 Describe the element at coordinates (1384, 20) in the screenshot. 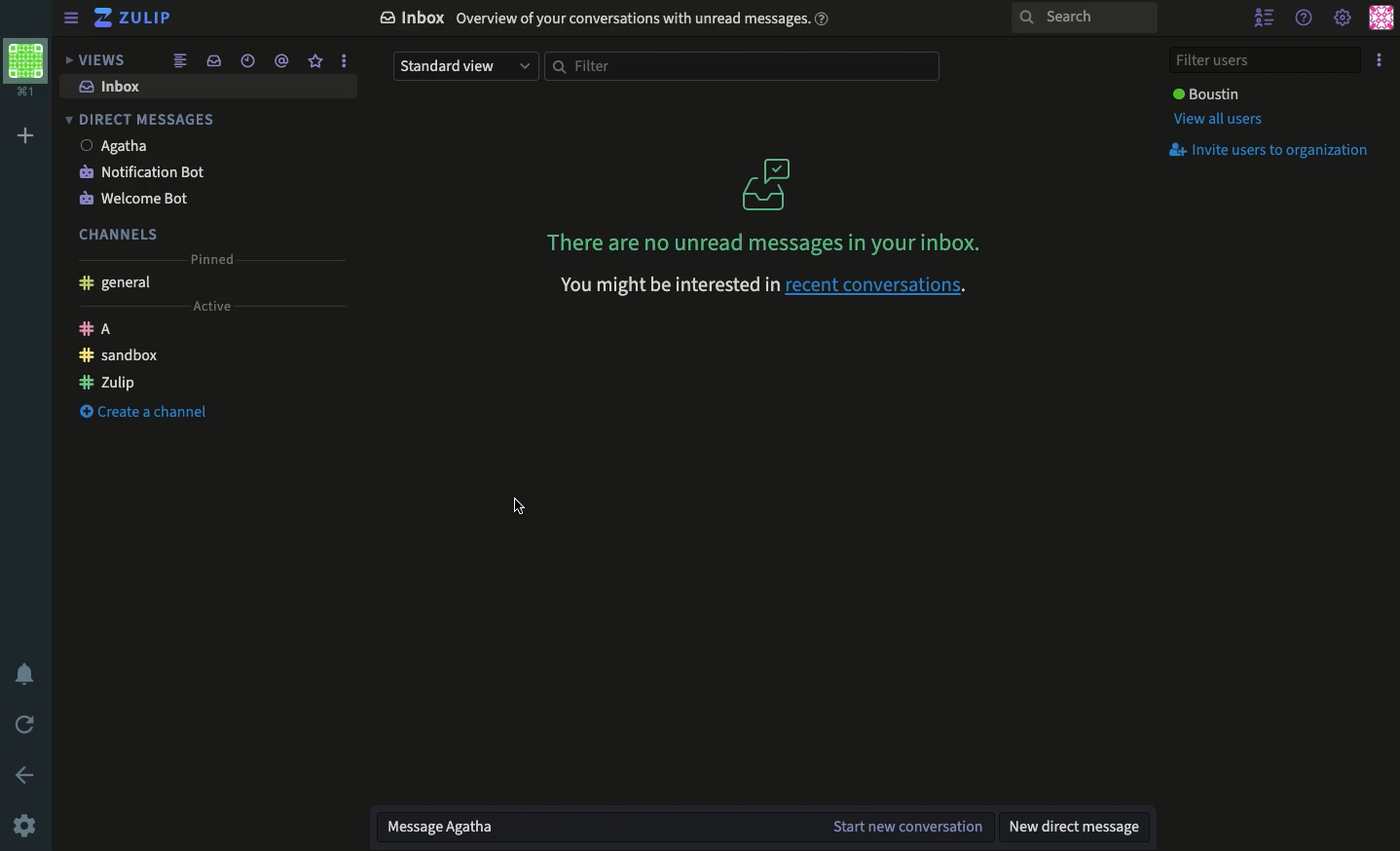

I see `Profile` at that location.